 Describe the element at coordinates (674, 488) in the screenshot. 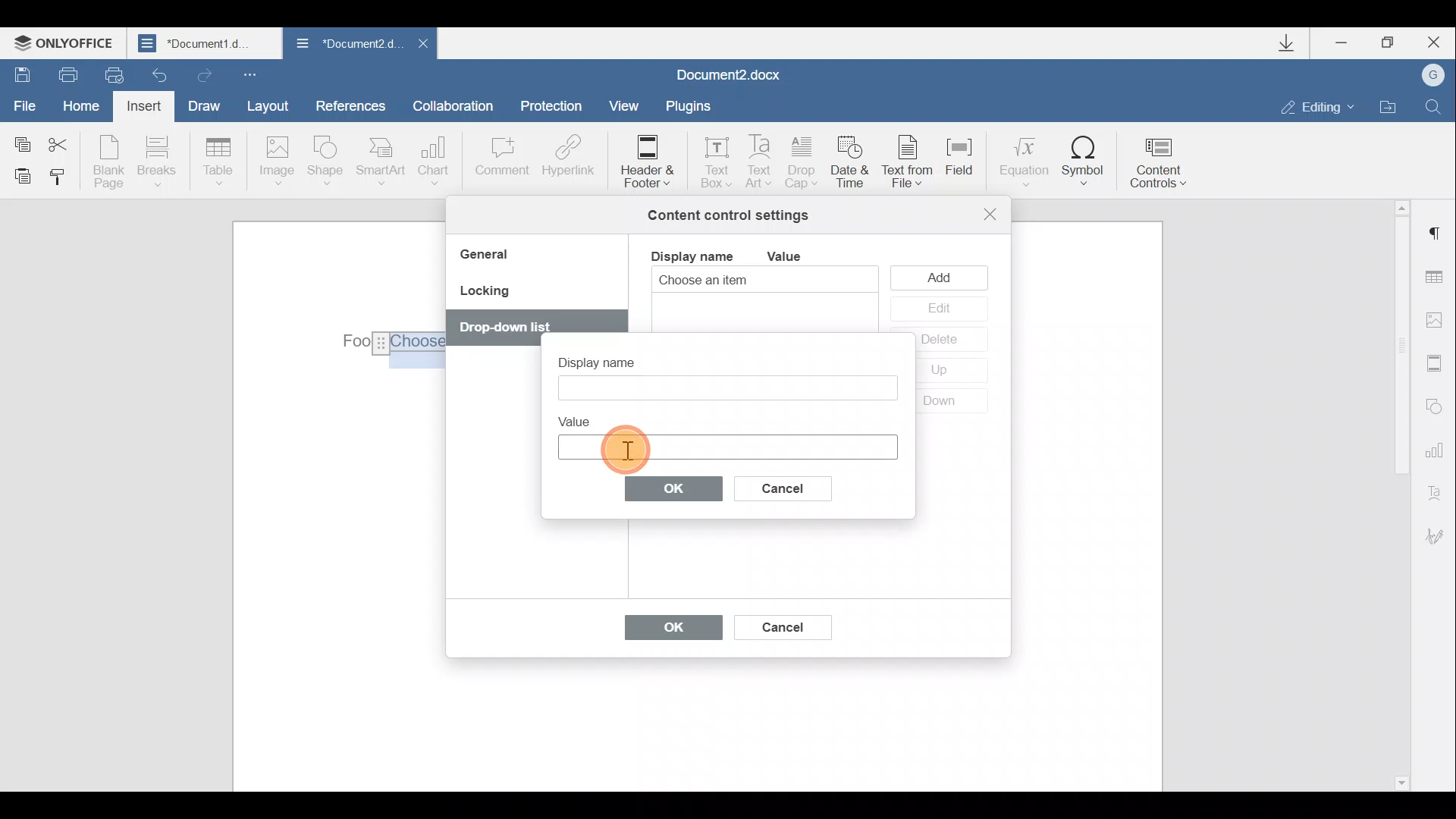

I see `OK` at that location.